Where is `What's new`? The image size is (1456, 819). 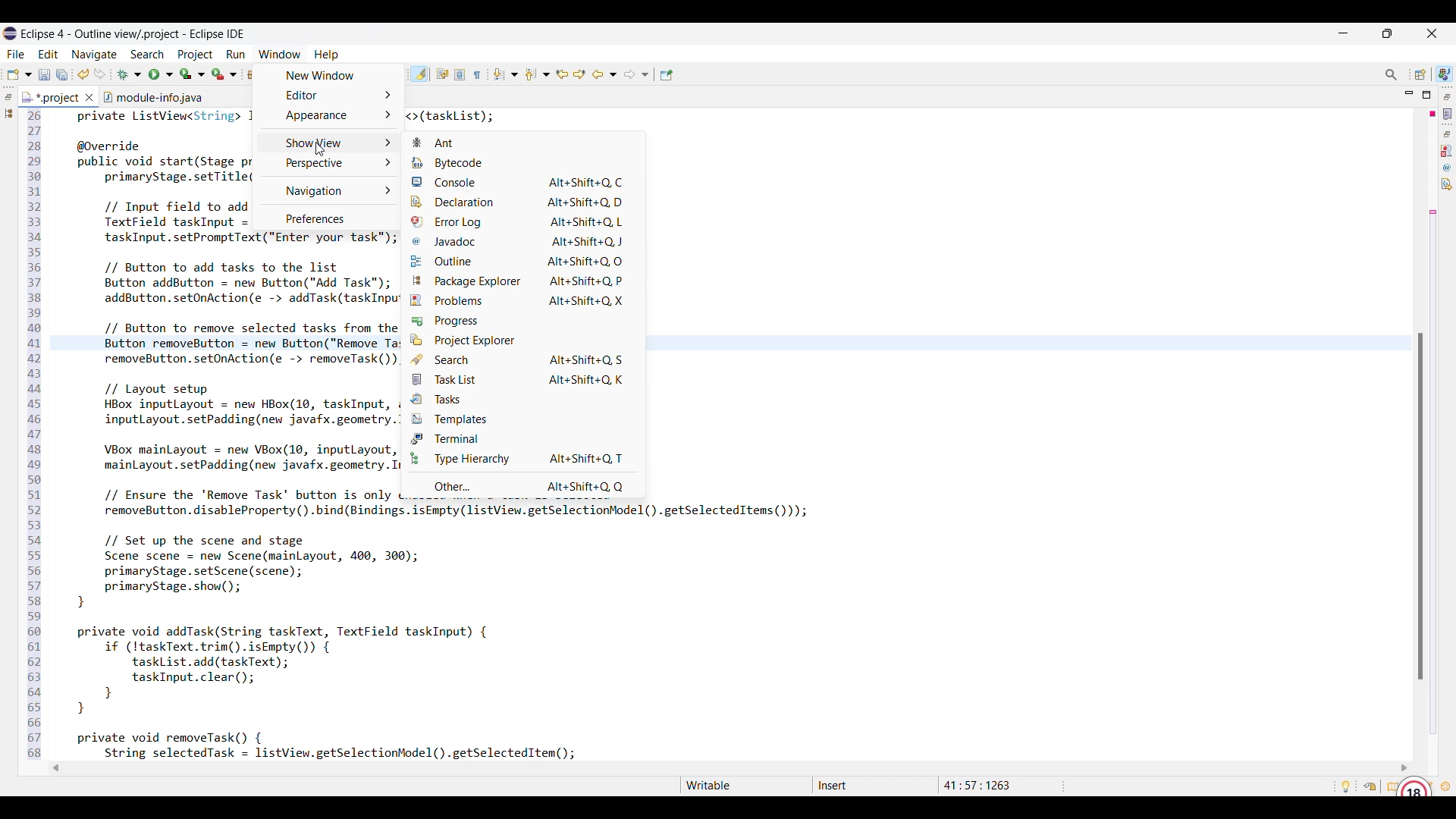
What's new is located at coordinates (1445, 786).